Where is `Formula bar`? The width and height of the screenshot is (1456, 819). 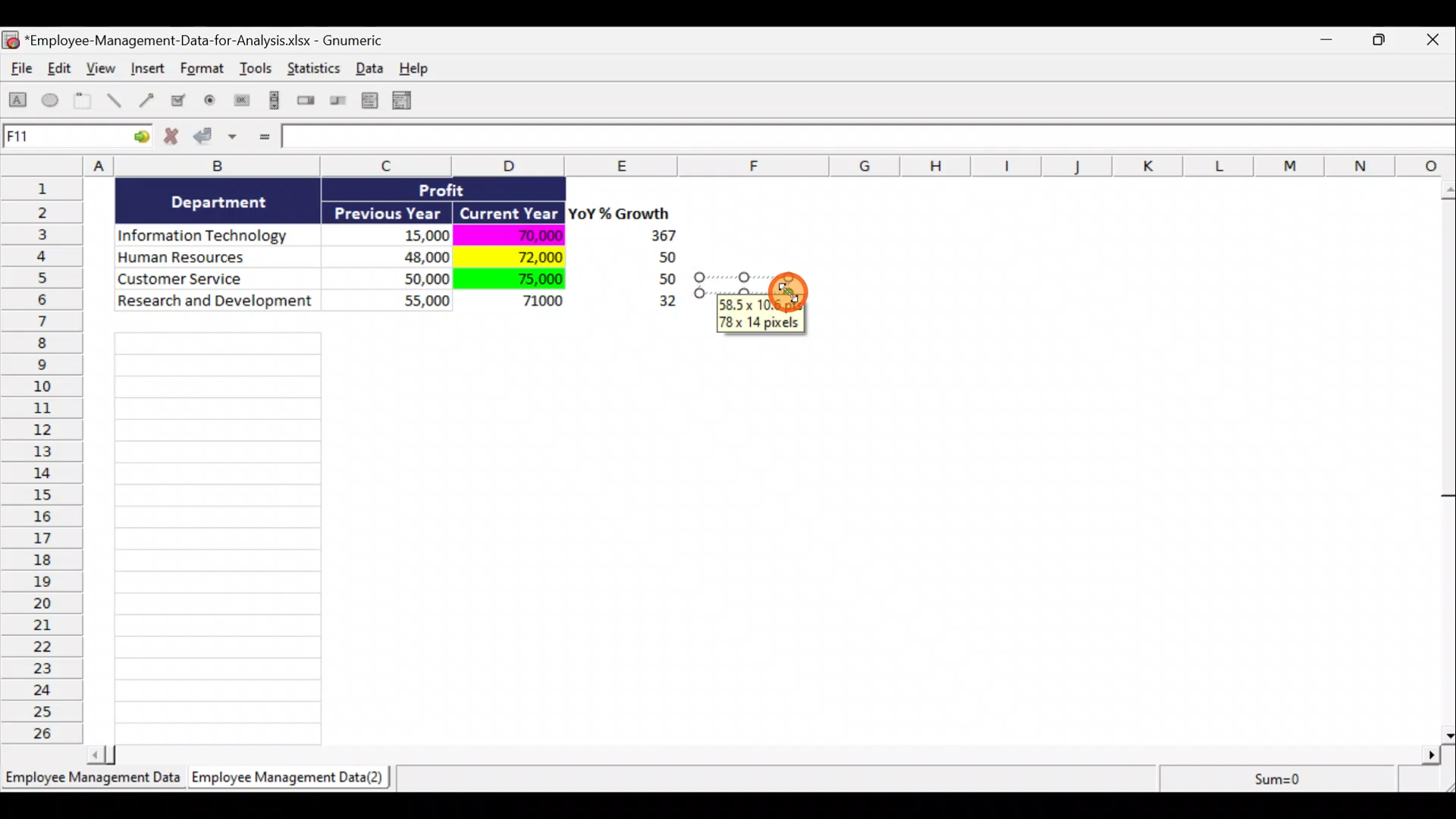
Formula bar is located at coordinates (870, 140).